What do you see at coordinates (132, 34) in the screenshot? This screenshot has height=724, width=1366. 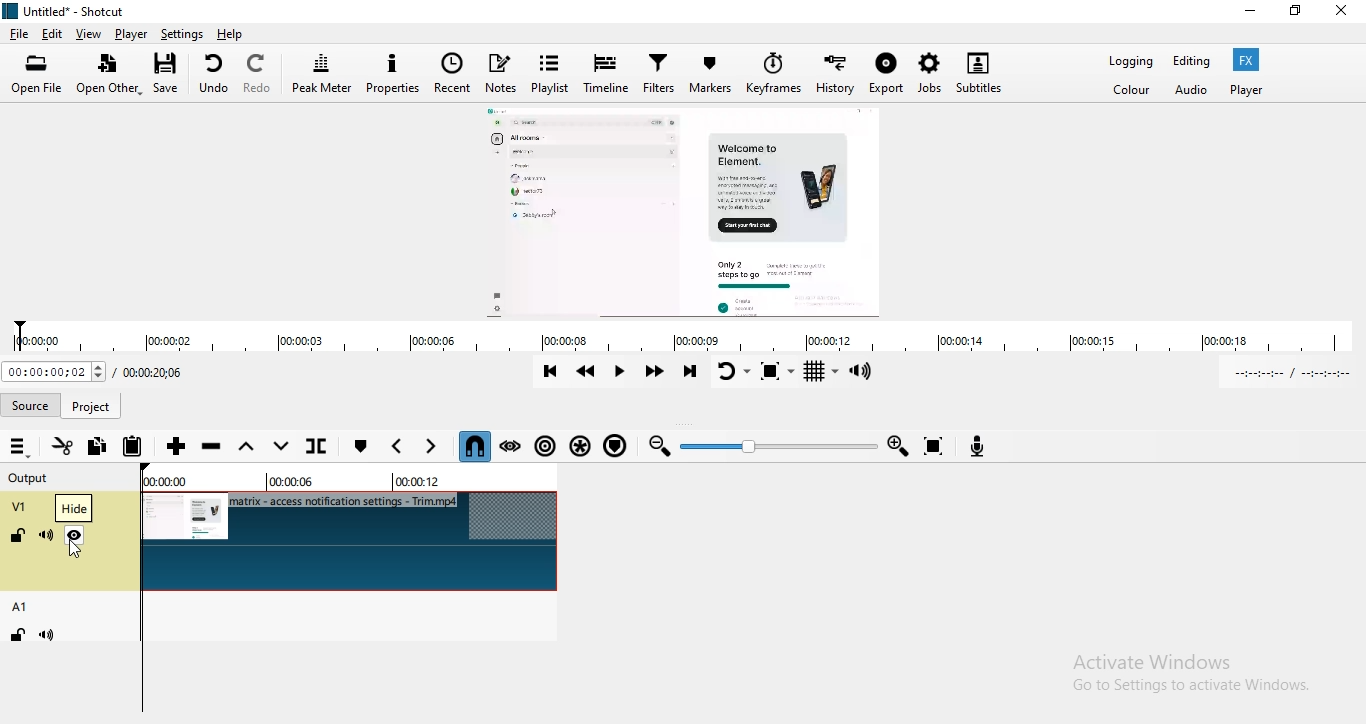 I see `Player` at bounding box center [132, 34].